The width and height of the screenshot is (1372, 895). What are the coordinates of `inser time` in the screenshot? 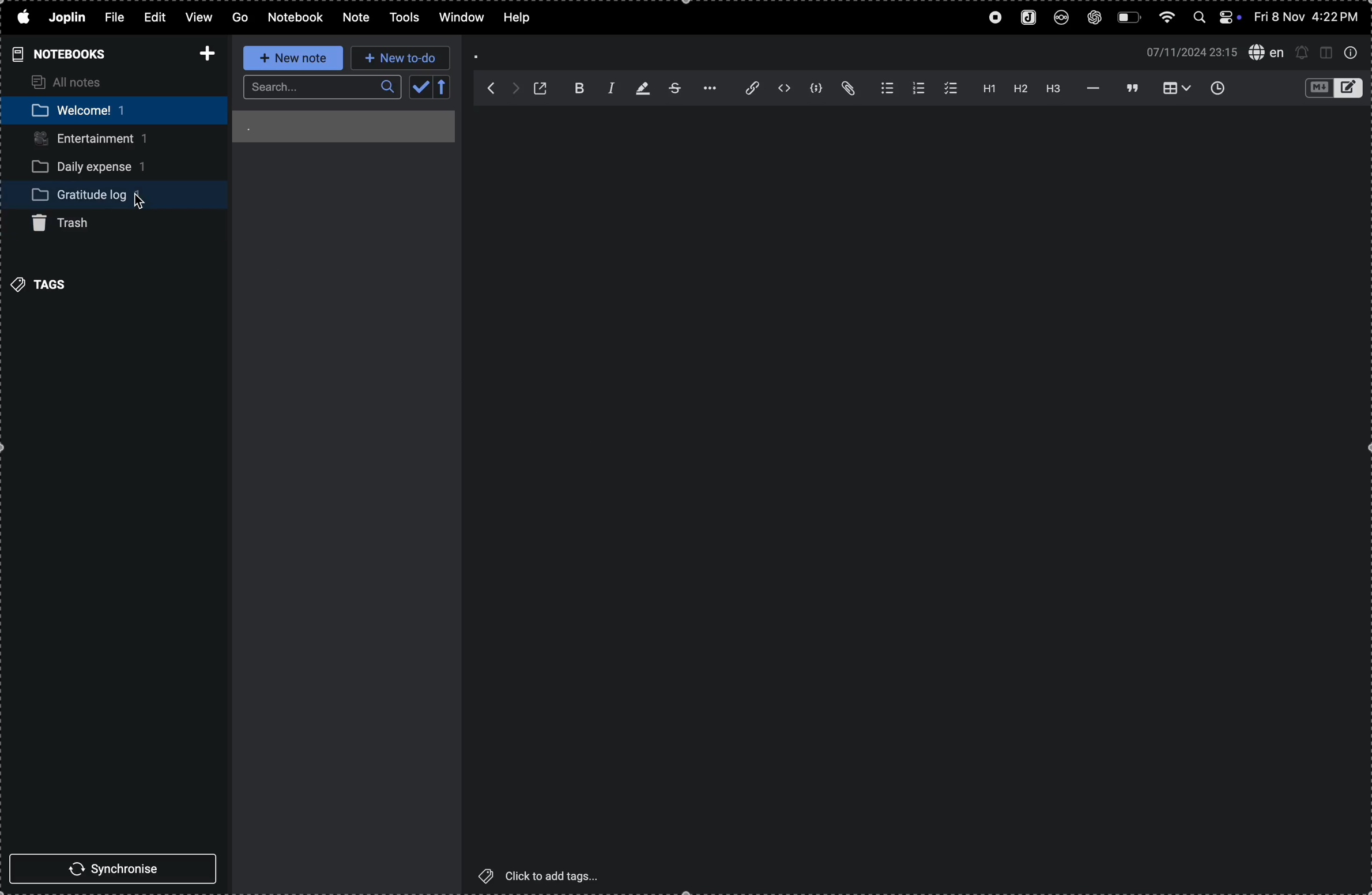 It's located at (1220, 89).